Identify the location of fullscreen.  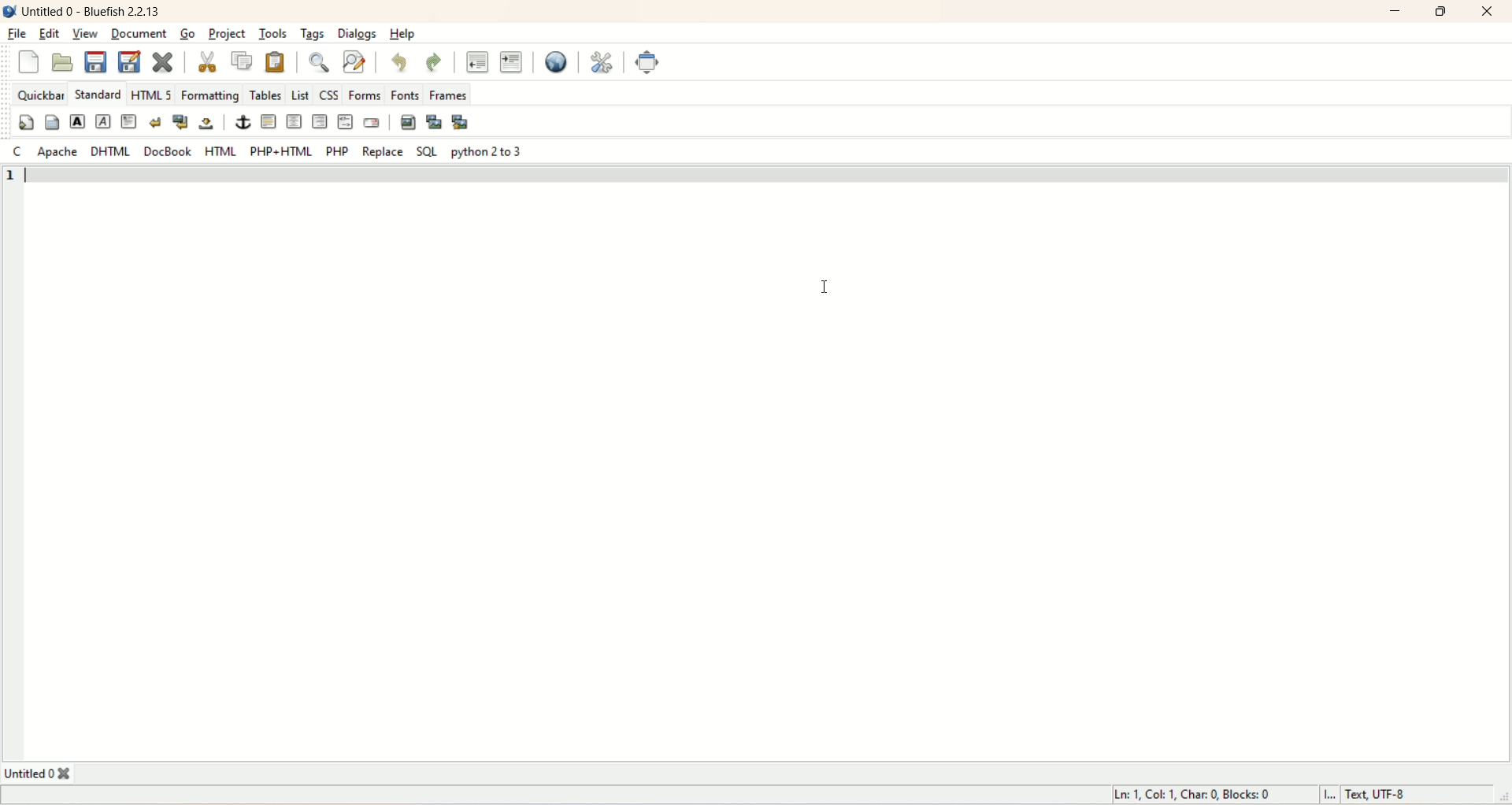
(650, 63).